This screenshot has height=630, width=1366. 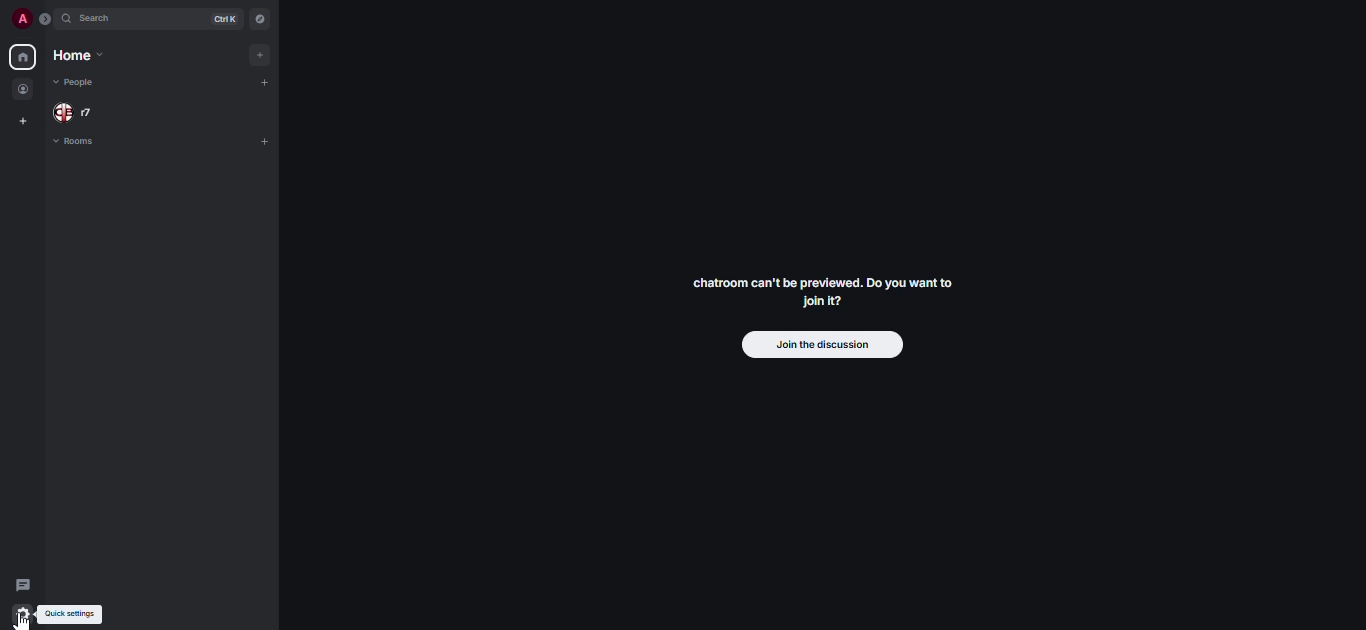 I want to click on expand, so click(x=43, y=19).